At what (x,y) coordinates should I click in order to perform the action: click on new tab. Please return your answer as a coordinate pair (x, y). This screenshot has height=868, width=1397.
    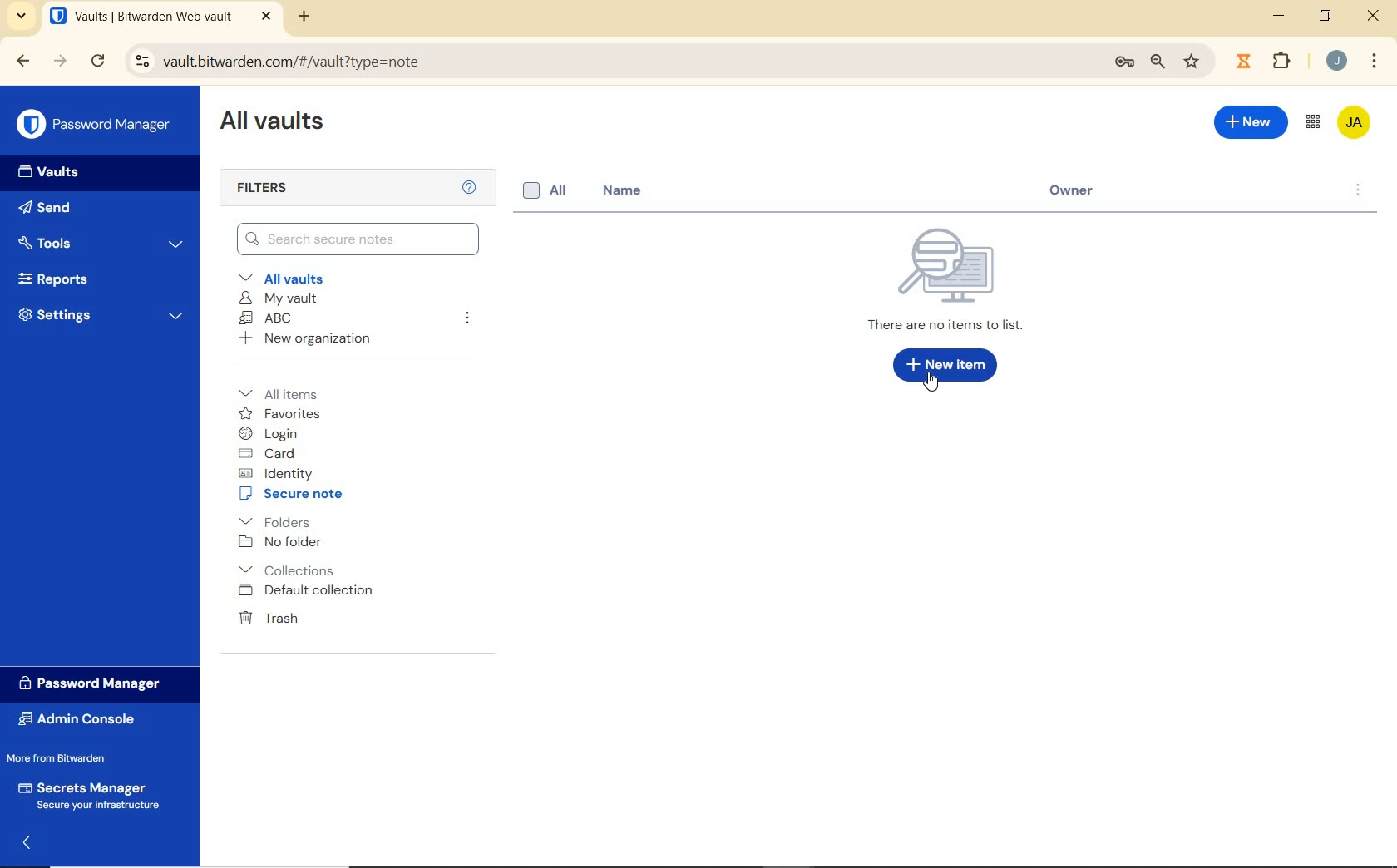
    Looking at the image, I should click on (306, 18).